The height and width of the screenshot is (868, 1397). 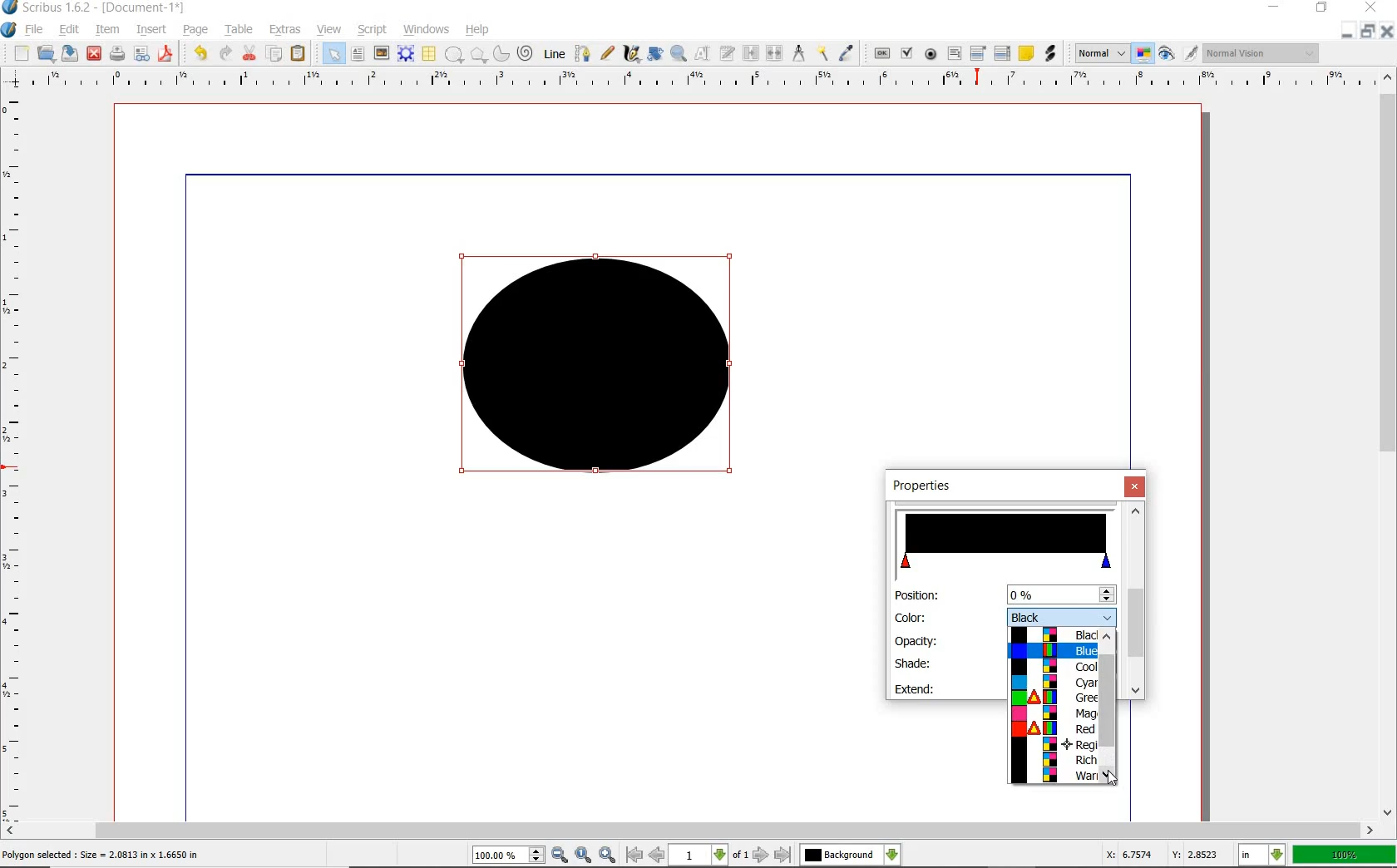 What do you see at coordinates (478, 55) in the screenshot?
I see `POLYGON` at bounding box center [478, 55].